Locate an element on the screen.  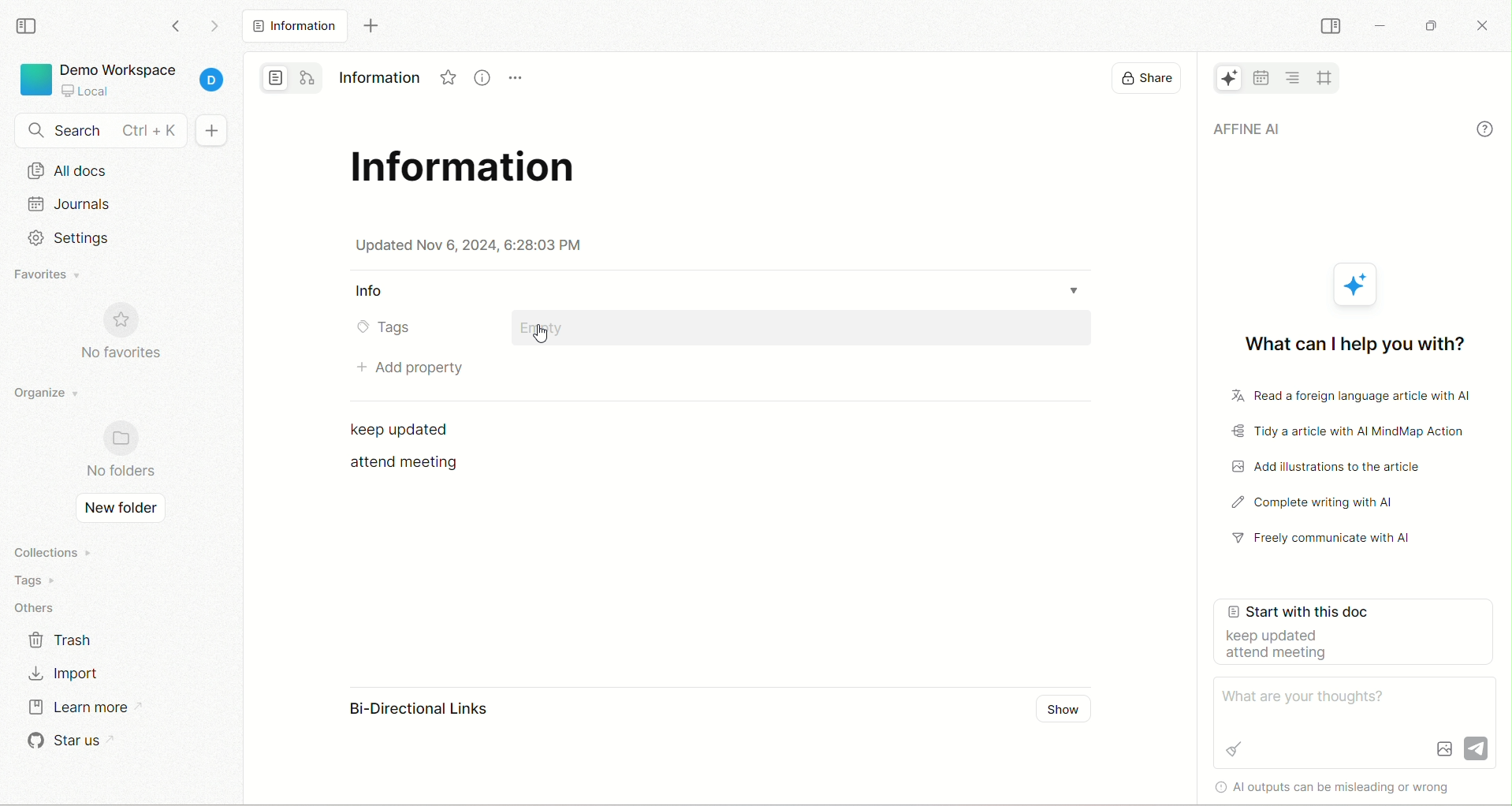
learn more is located at coordinates (77, 711).